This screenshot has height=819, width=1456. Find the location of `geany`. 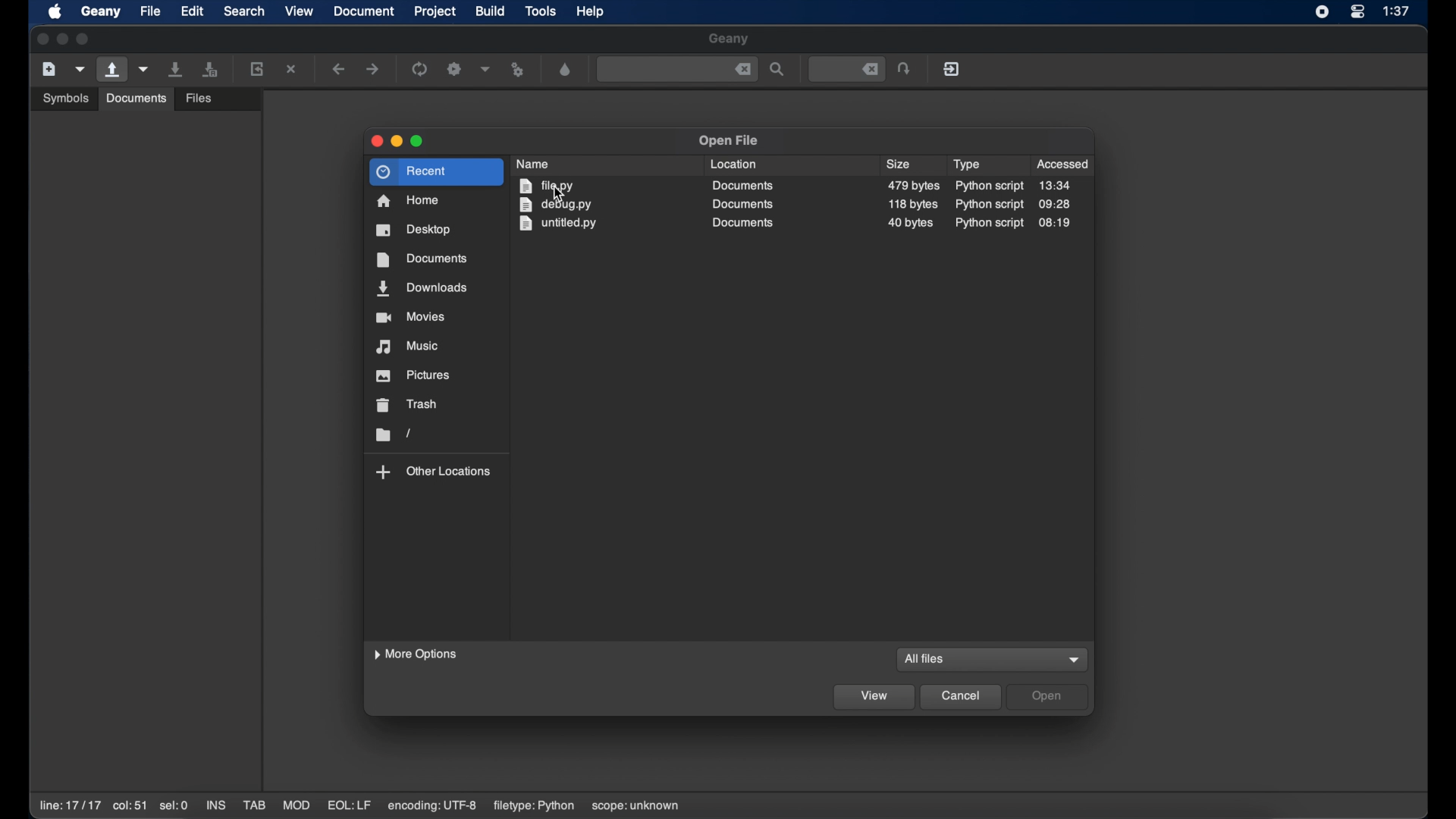

geany is located at coordinates (100, 11).